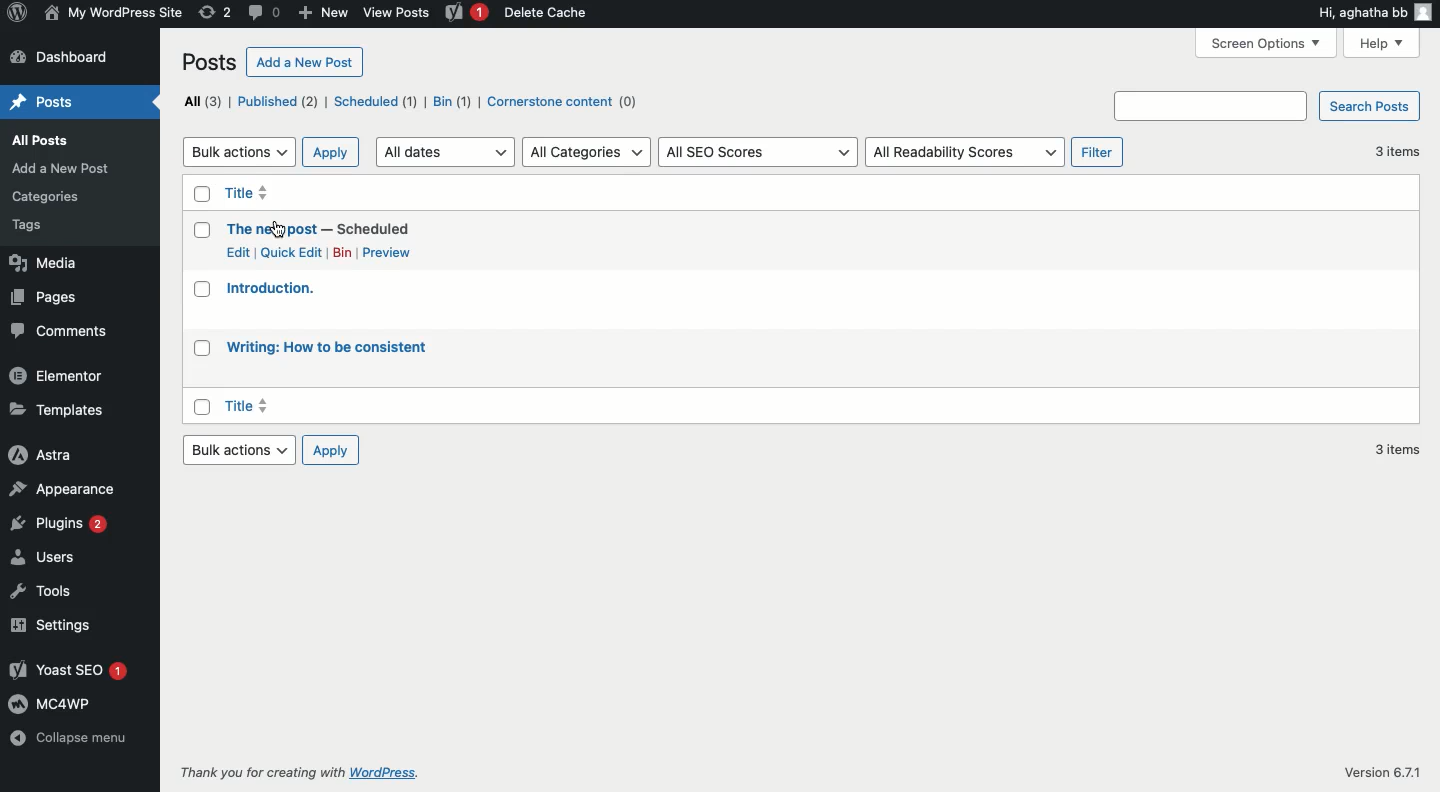  What do you see at coordinates (46, 197) in the screenshot?
I see `Categories` at bounding box center [46, 197].